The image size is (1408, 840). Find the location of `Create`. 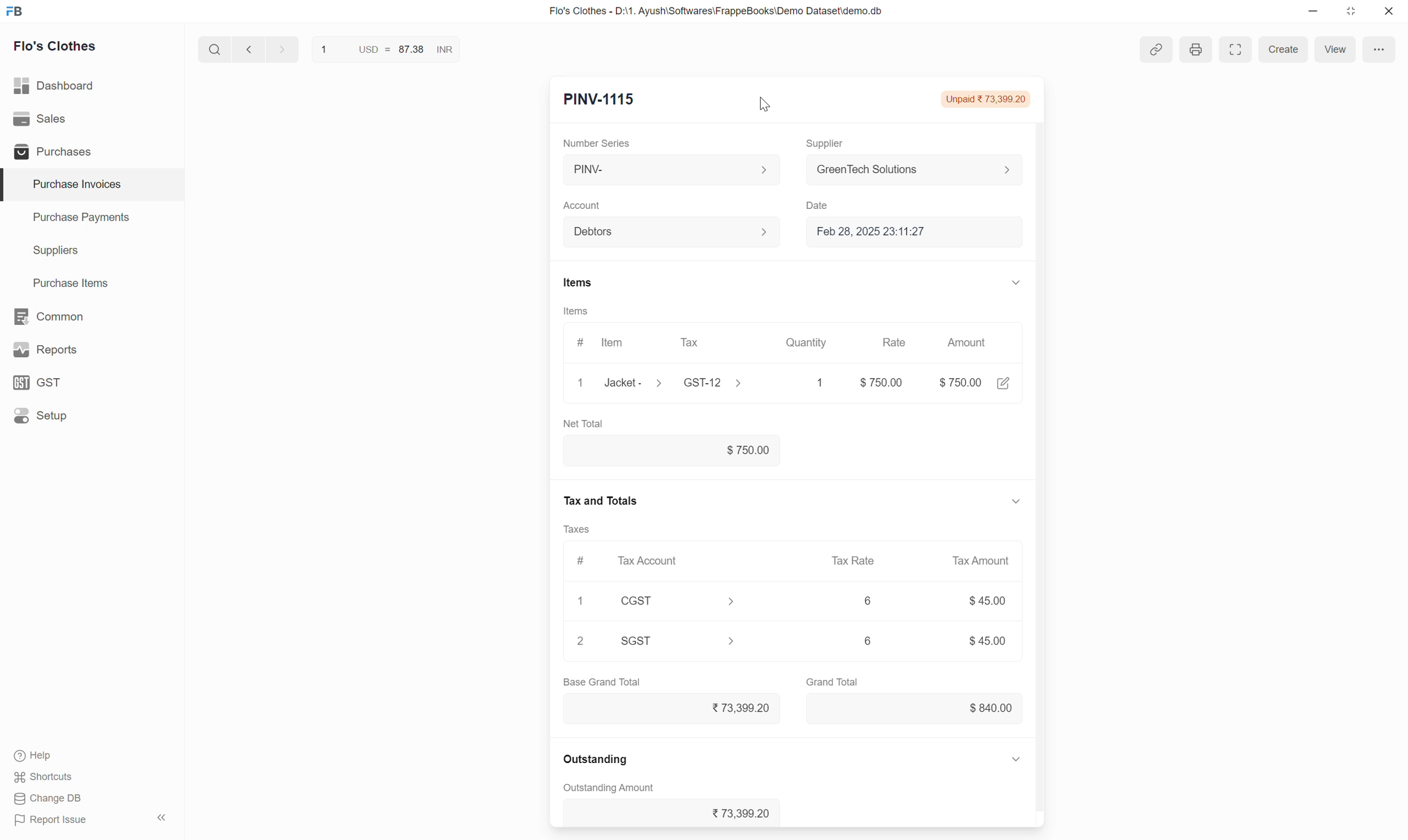

Create is located at coordinates (1282, 49).